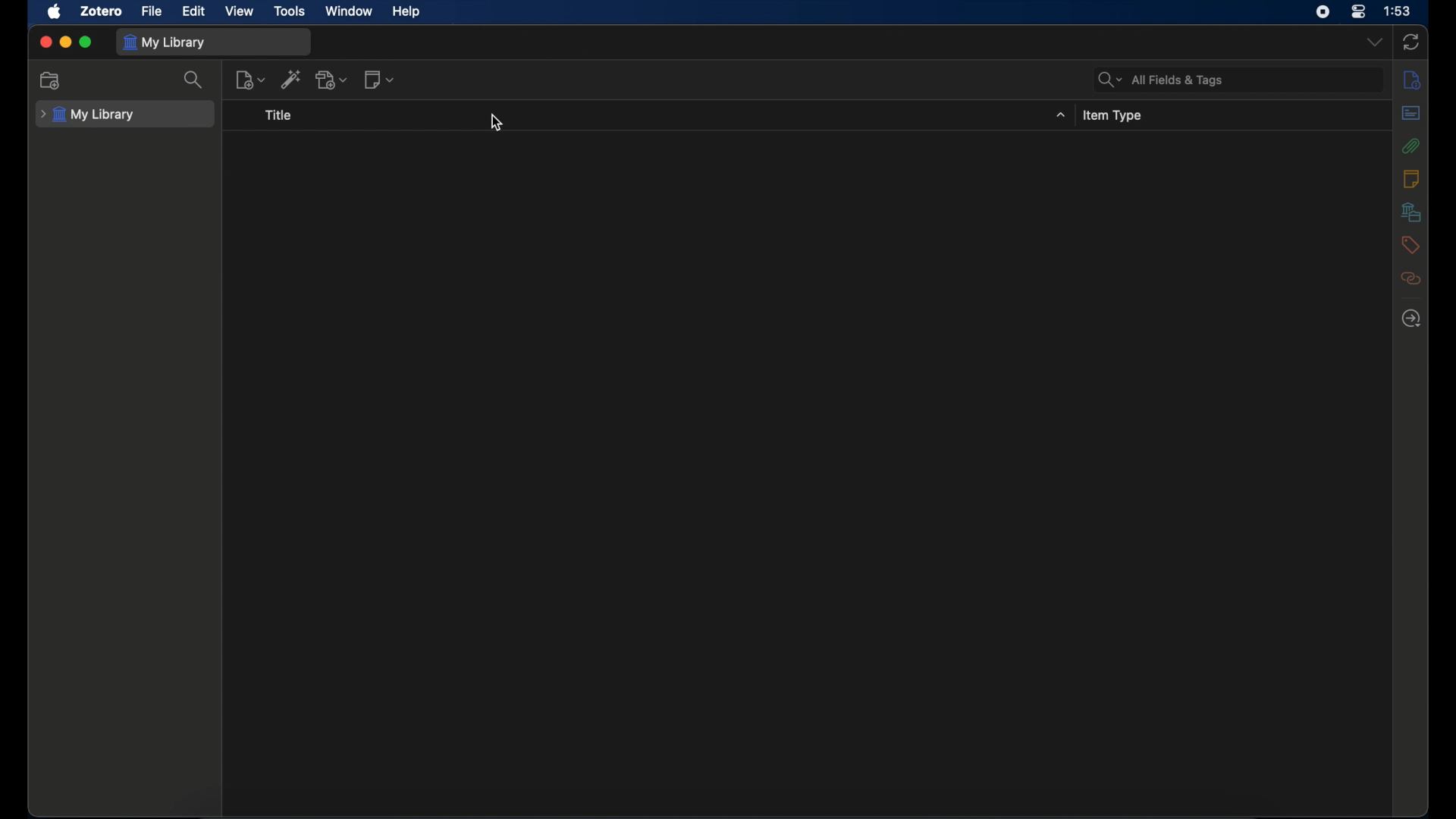 Image resolution: width=1456 pixels, height=819 pixels. Describe the element at coordinates (86, 42) in the screenshot. I see `maximize` at that location.